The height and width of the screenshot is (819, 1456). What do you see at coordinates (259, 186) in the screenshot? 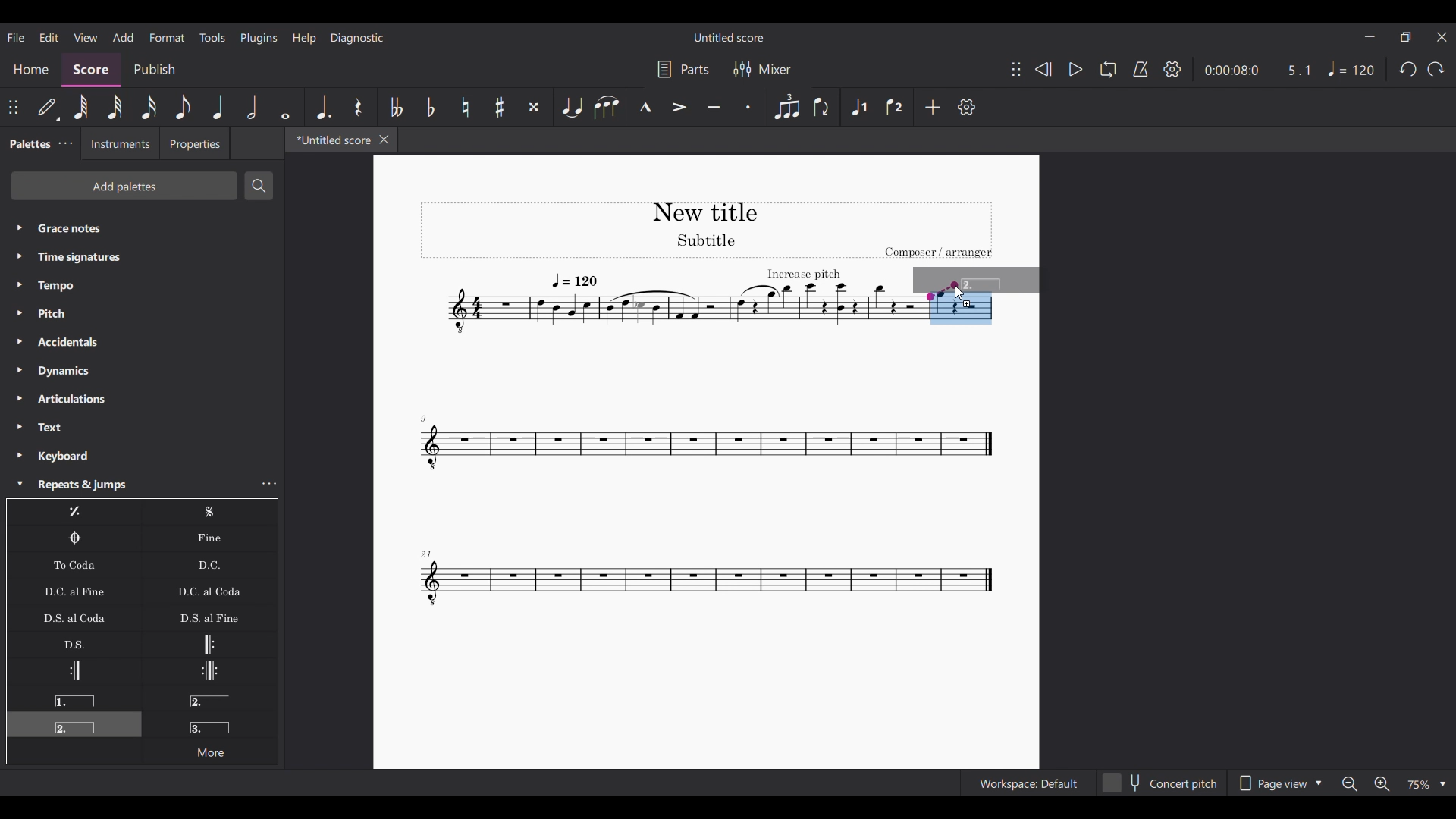
I see `Search ` at bounding box center [259, 186].